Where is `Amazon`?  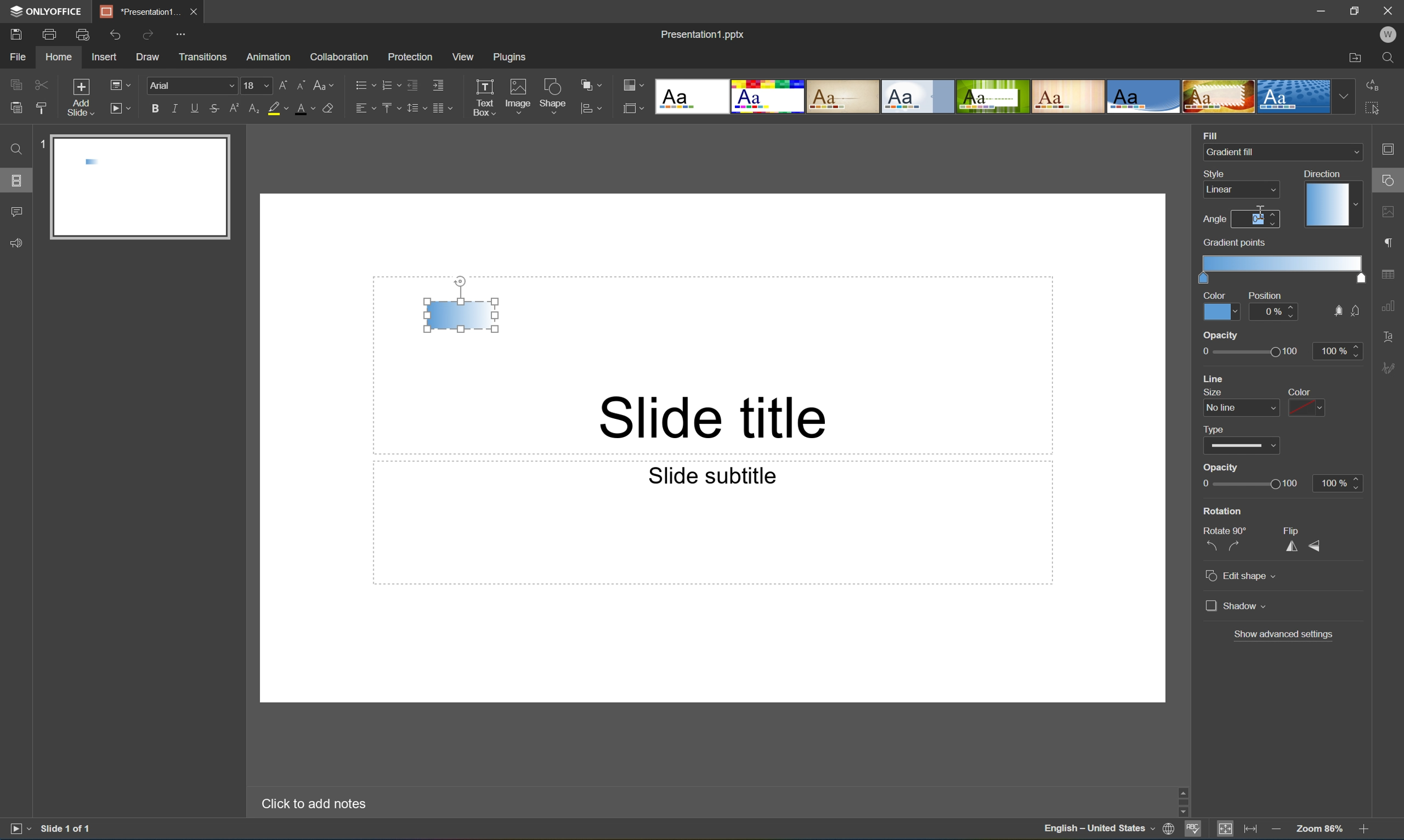 Amazon is located at coordinates (269, 55).